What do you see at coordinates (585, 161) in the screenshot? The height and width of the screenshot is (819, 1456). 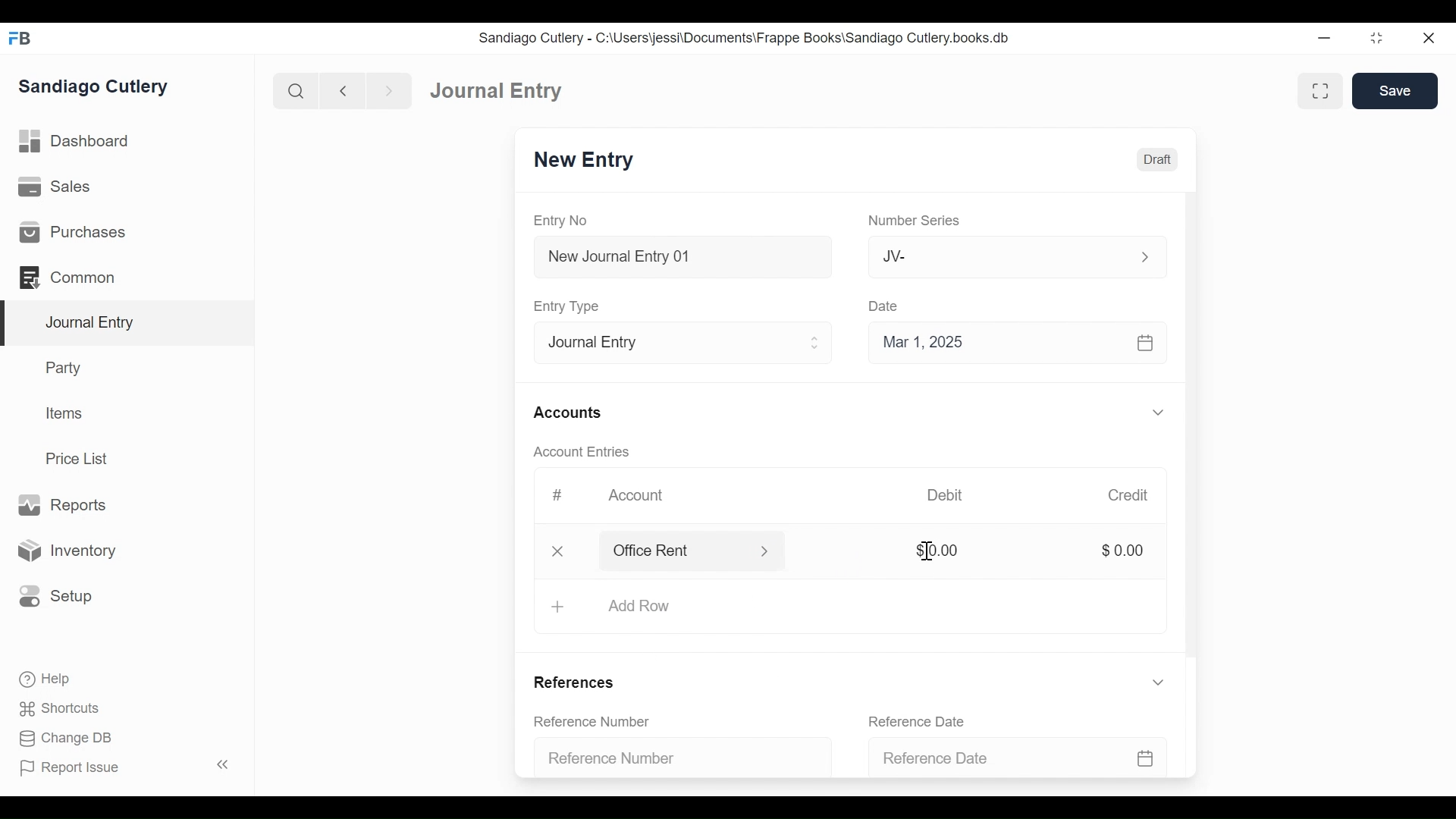 I see `New Entry` at bounding box center [585, 161].